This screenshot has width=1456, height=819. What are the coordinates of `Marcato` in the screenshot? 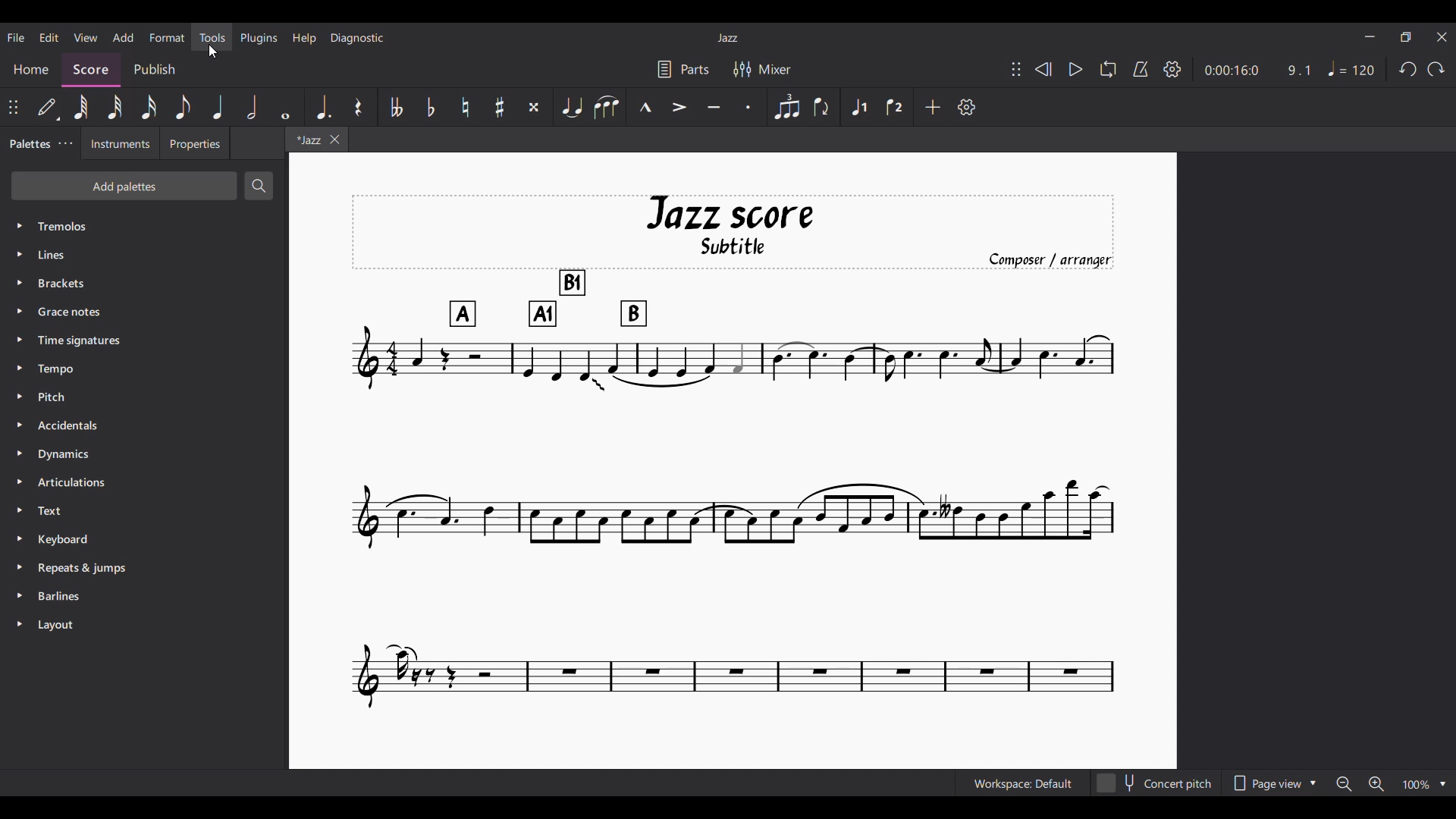 It's located at (645, 107).